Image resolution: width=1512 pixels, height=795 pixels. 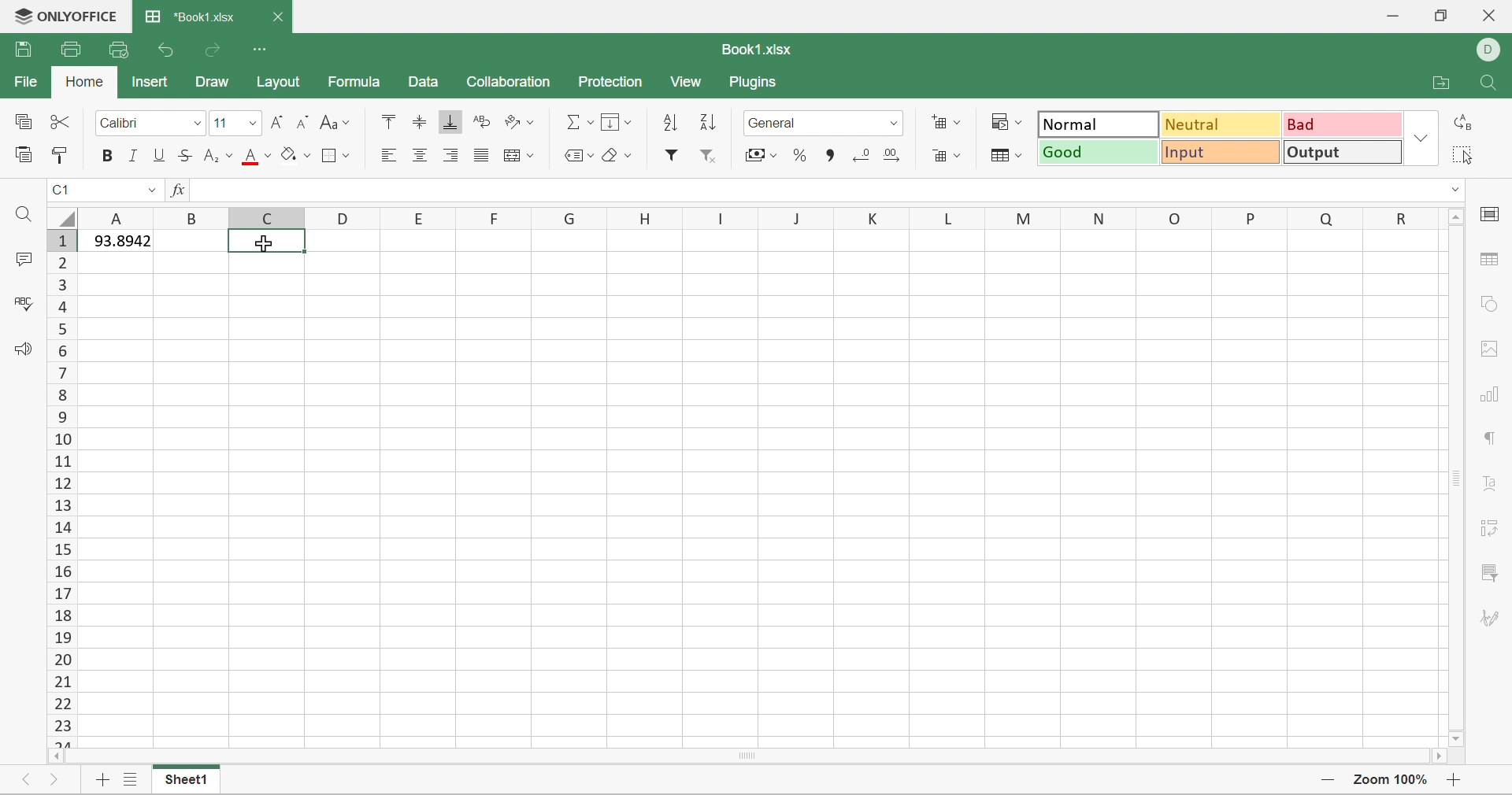 I want to click on Collaboration, so click(x=511, y=80).